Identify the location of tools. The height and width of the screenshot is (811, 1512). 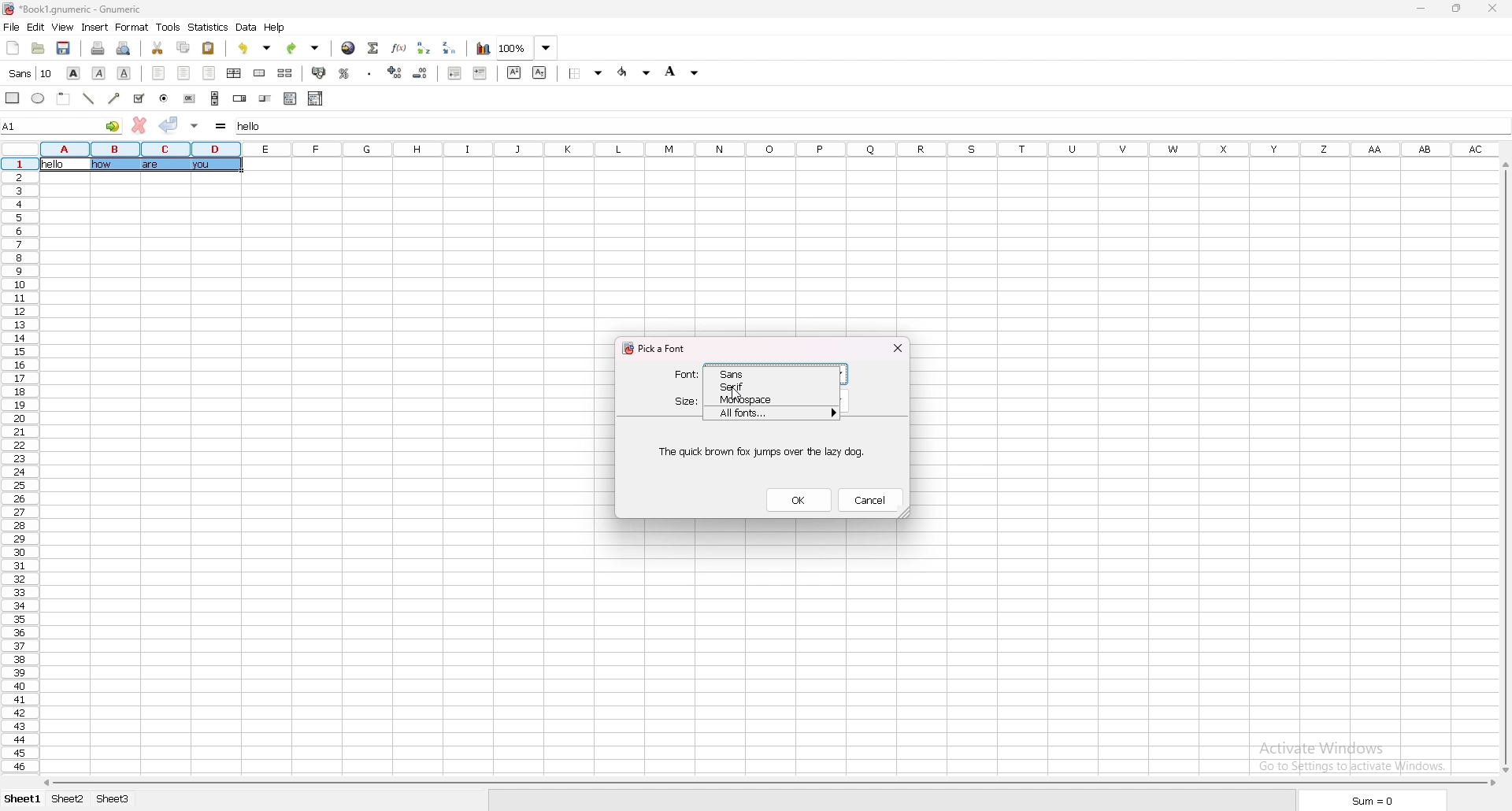
(169, 27).